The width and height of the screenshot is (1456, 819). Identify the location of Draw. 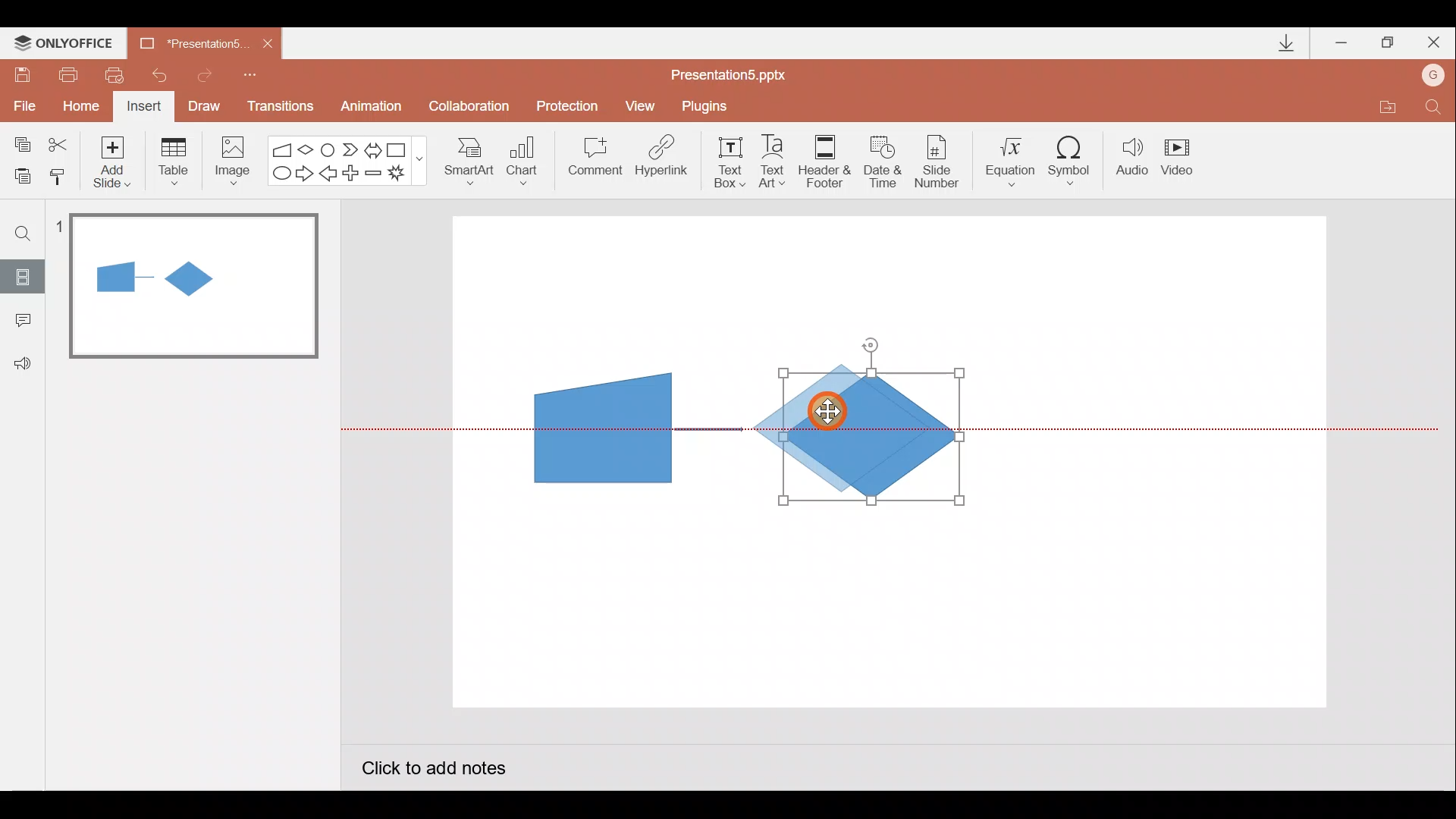
(205, 105).